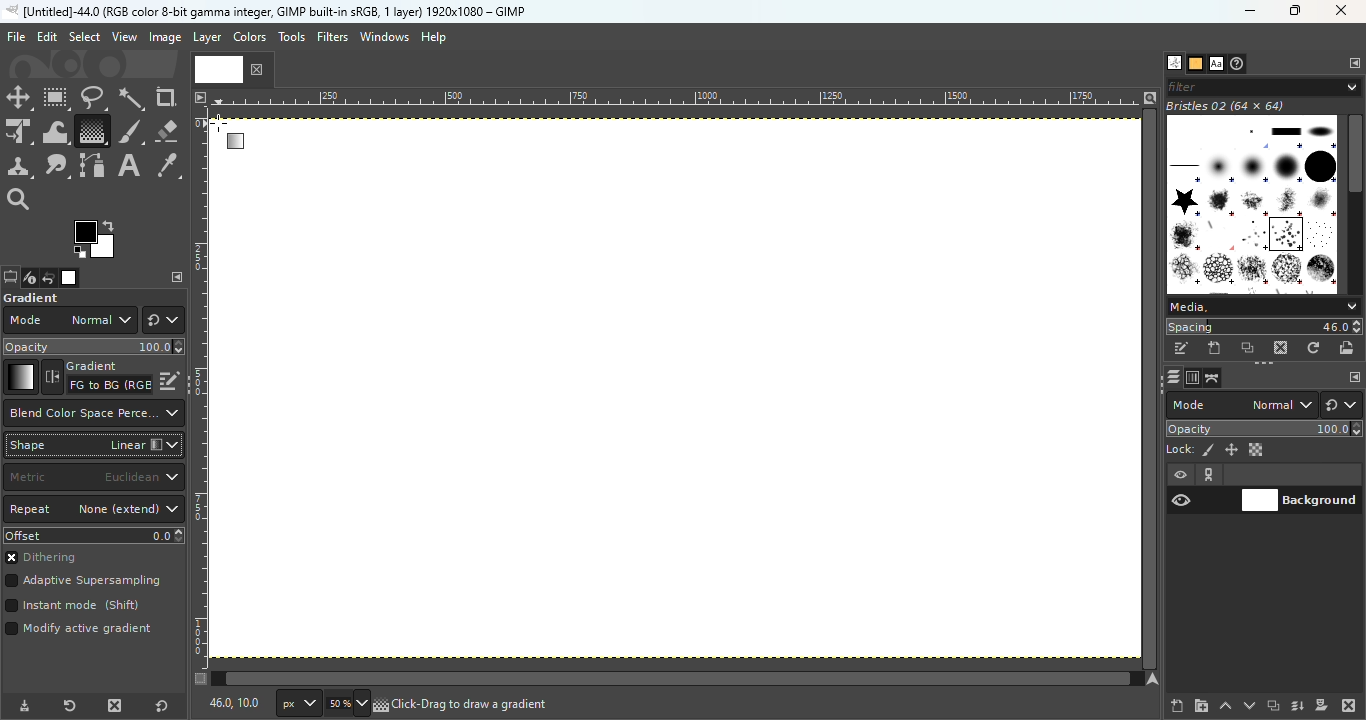 This screenshot has height=720, width=1366. What do you see at coordinates (94, 535) in the screenshot?
I see `Offset` at bounding box center [94, 535].